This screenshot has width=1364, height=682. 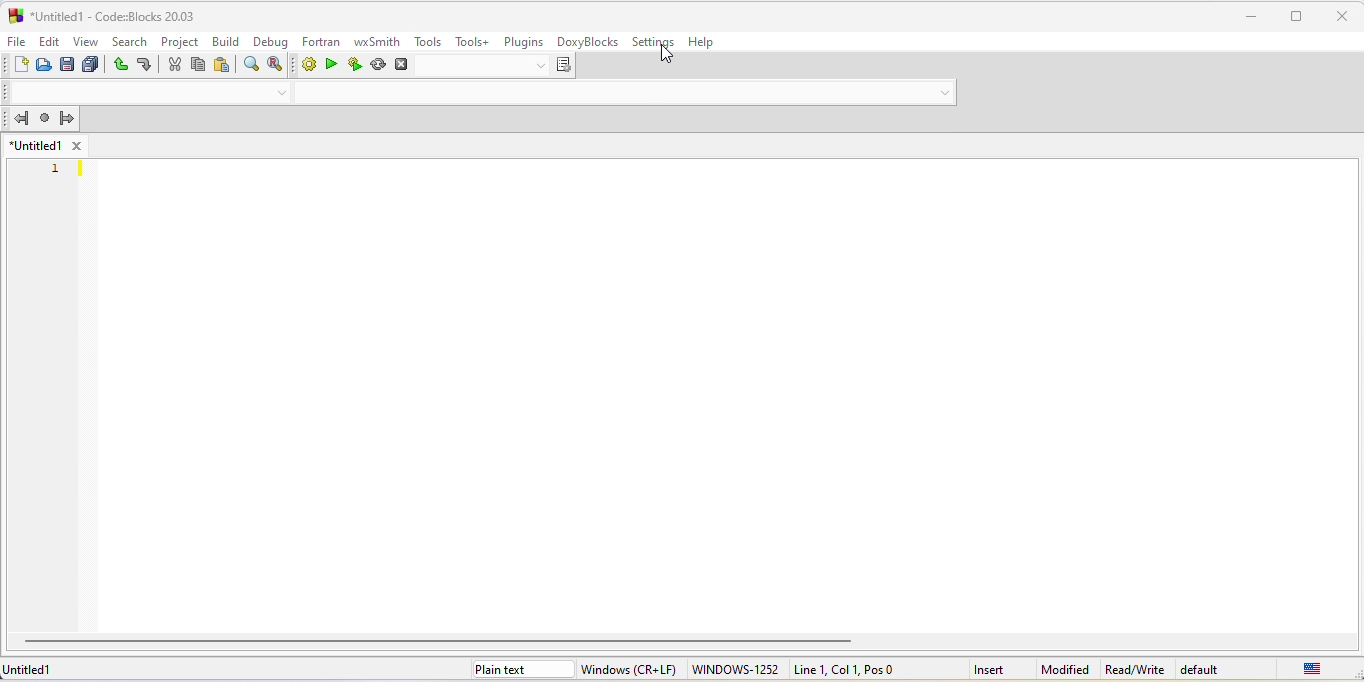 I want to click on windows, so click(x=633, y=669).